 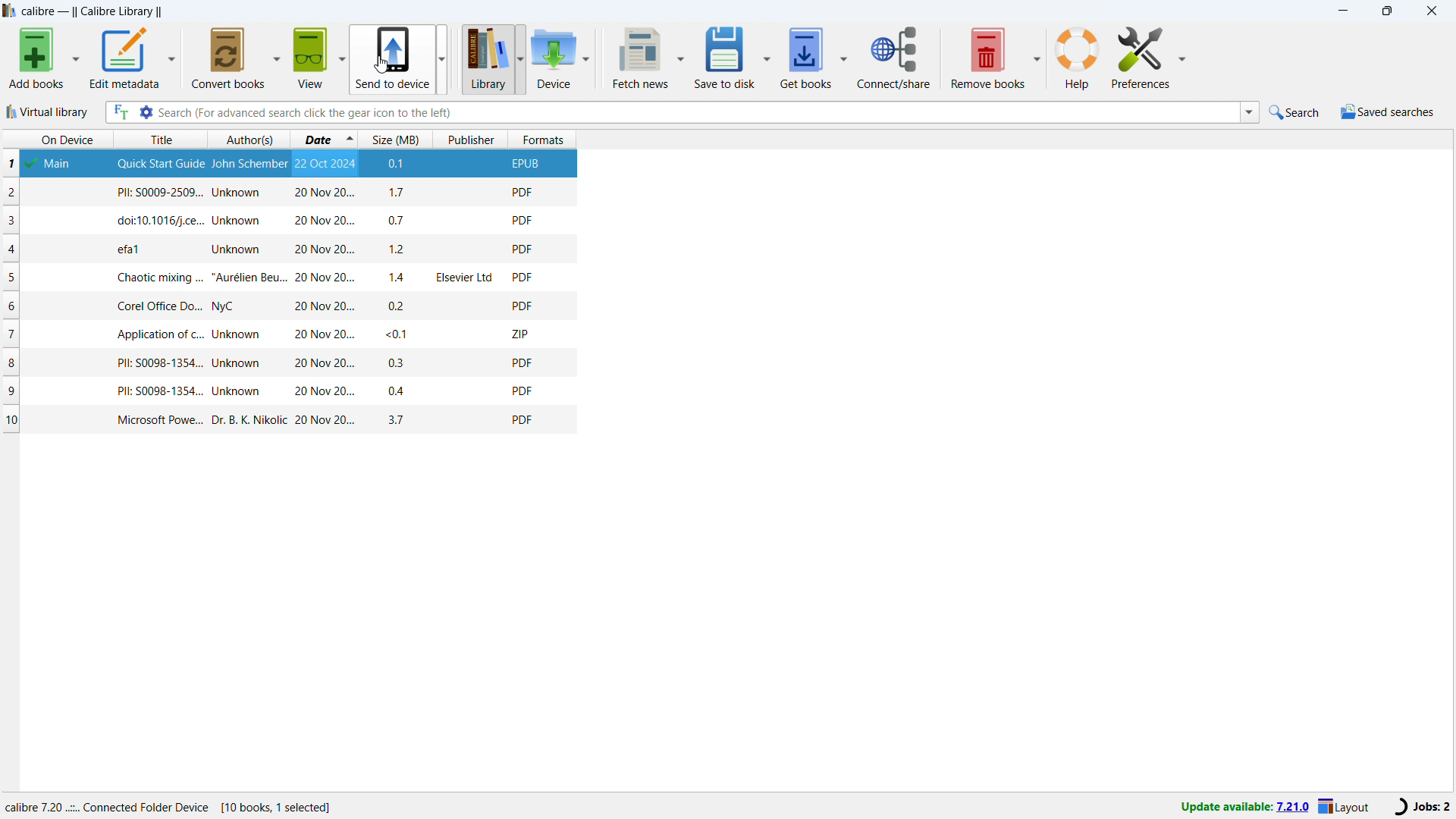 What do you see at coordinates (49, 112) in the screenshot?
I see `virtual library` at bounding box center [49, 112].